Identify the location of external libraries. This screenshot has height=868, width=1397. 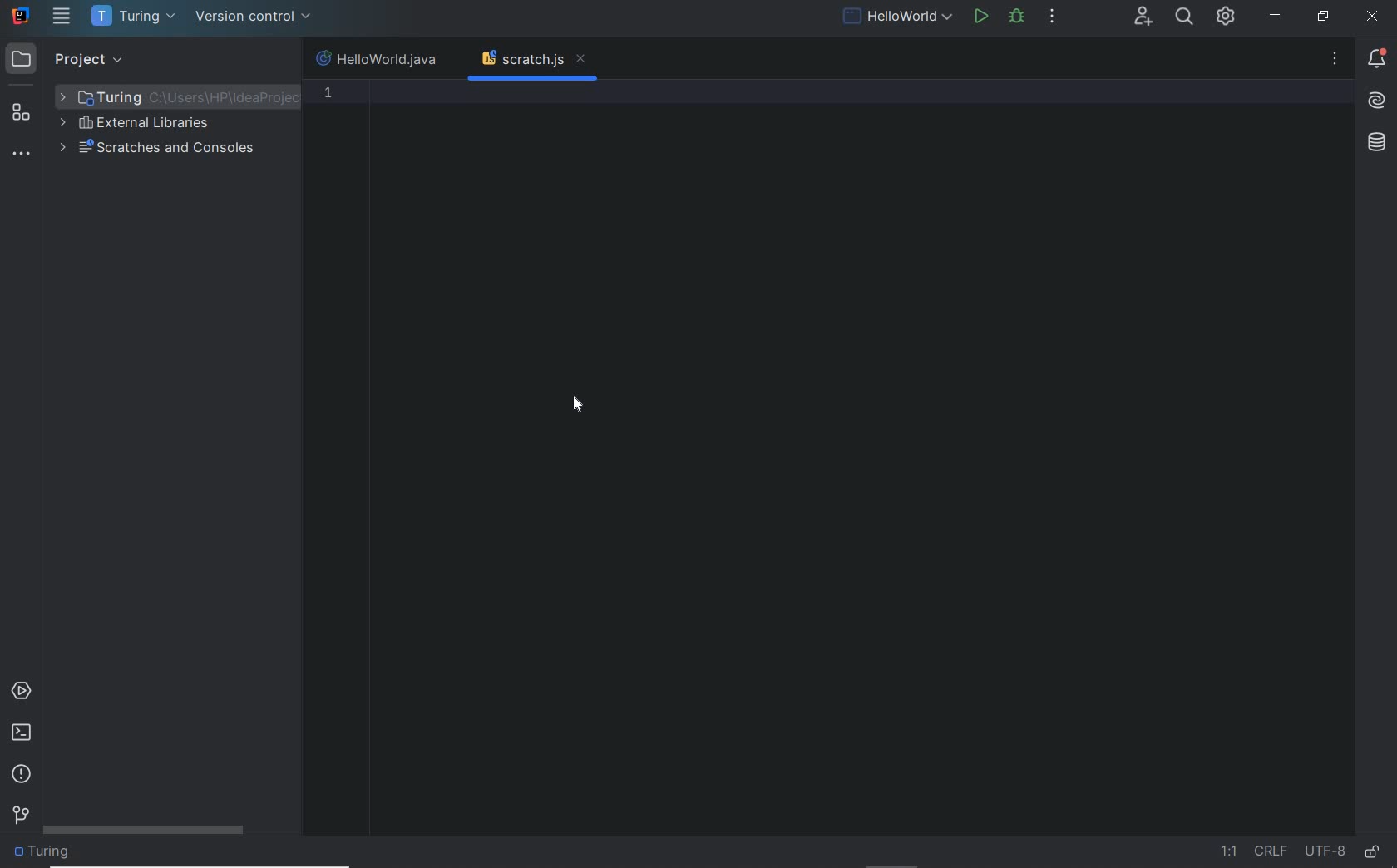
(140, 123).